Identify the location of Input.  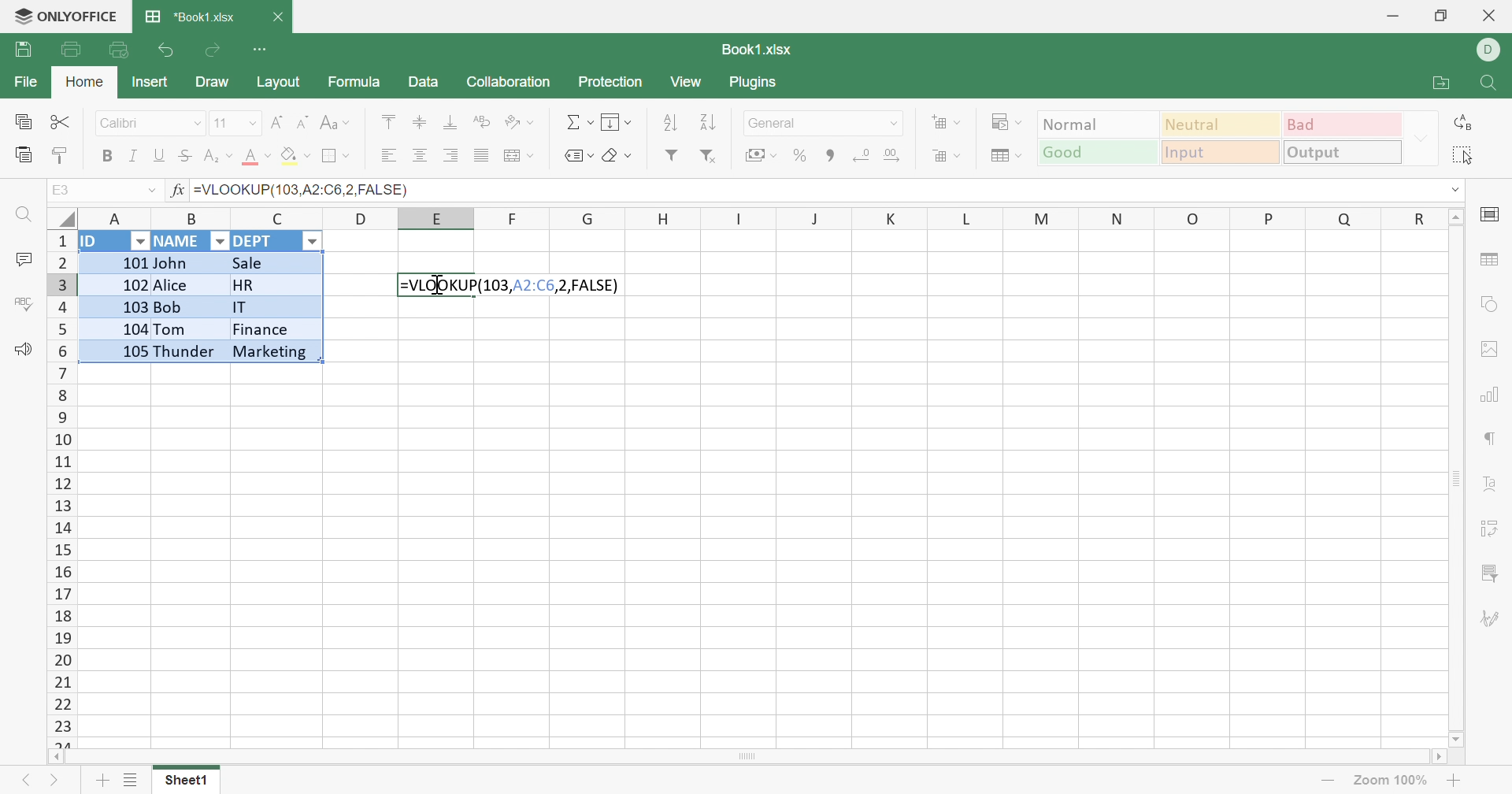
(1218, 152).